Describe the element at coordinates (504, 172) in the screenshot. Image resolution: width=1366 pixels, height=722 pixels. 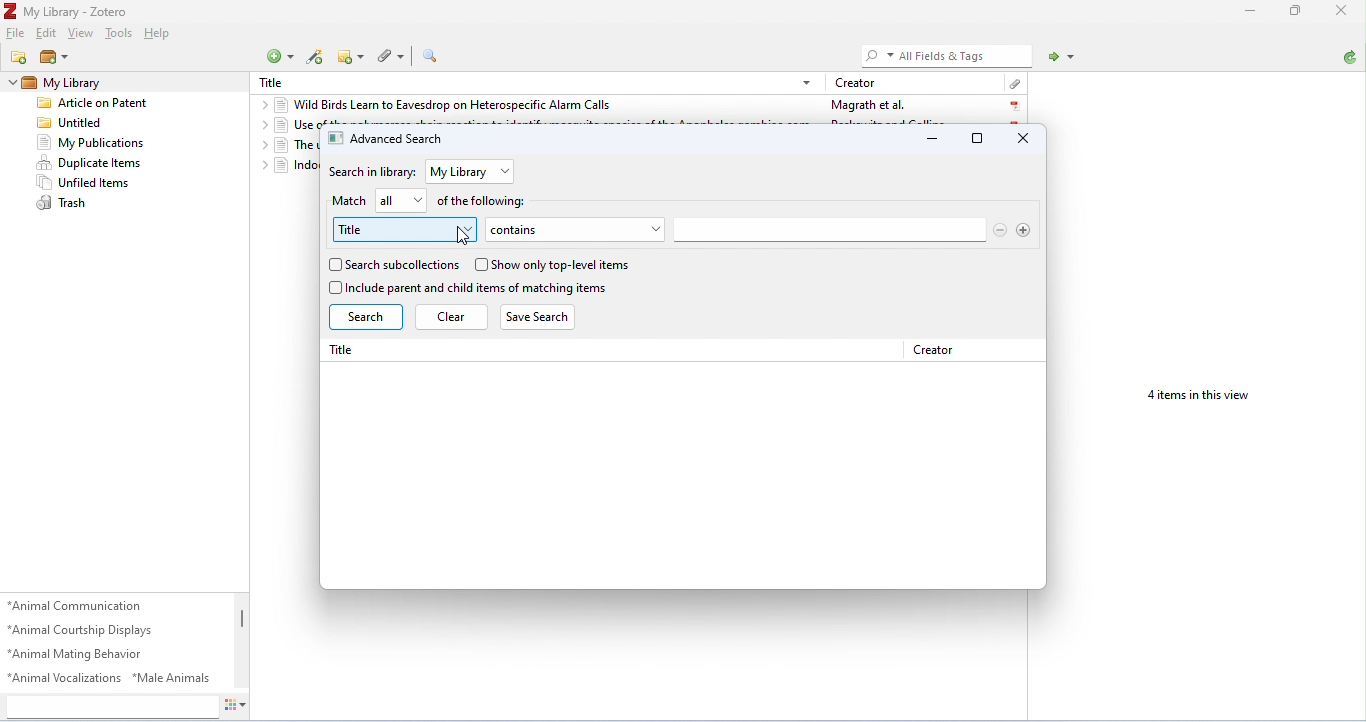
I see `drop-down` at that location.